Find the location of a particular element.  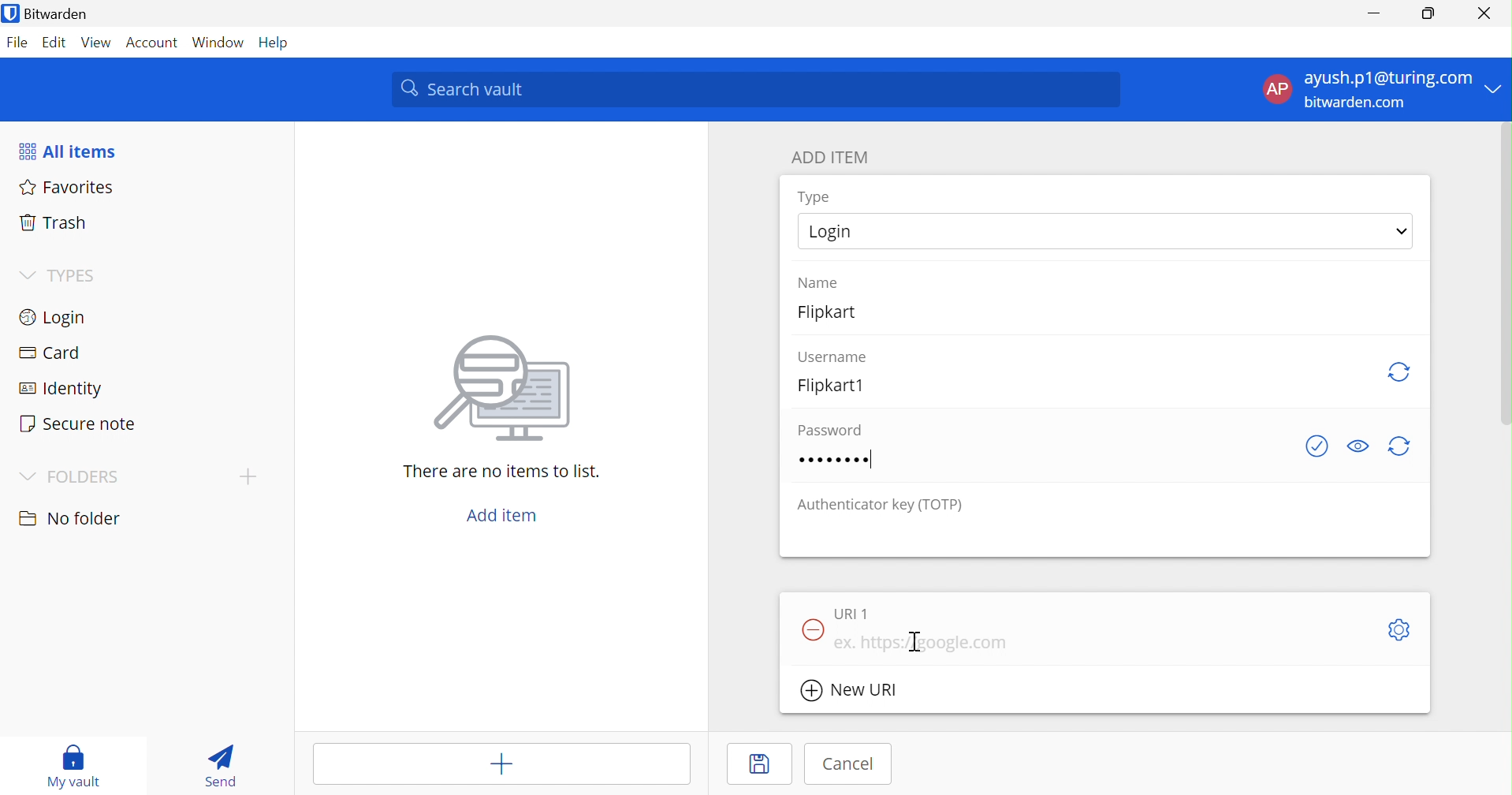

Drop Down is located at coordinates (1496, 88).